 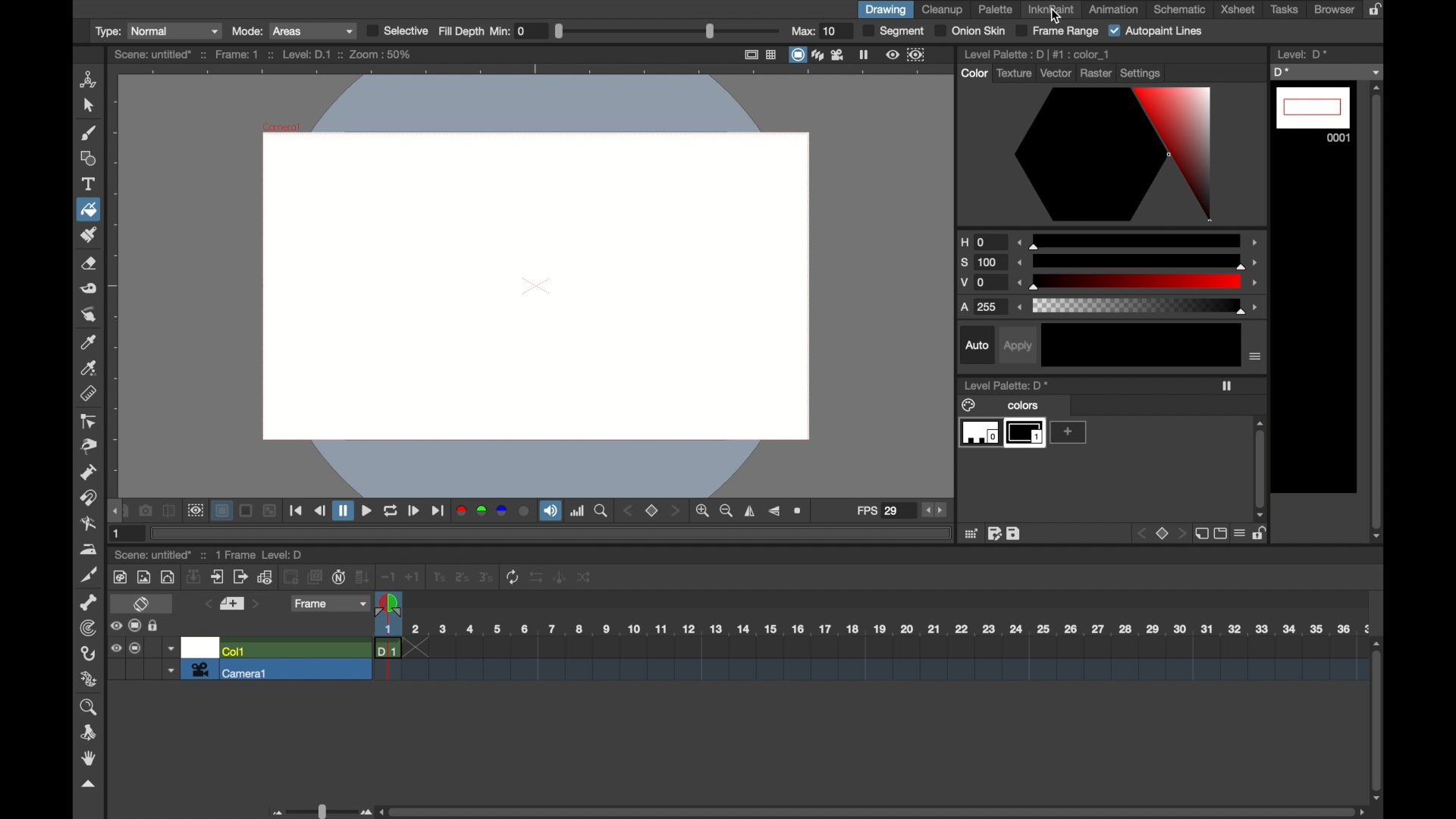 I want to click on film, so click(x=839, y=55).